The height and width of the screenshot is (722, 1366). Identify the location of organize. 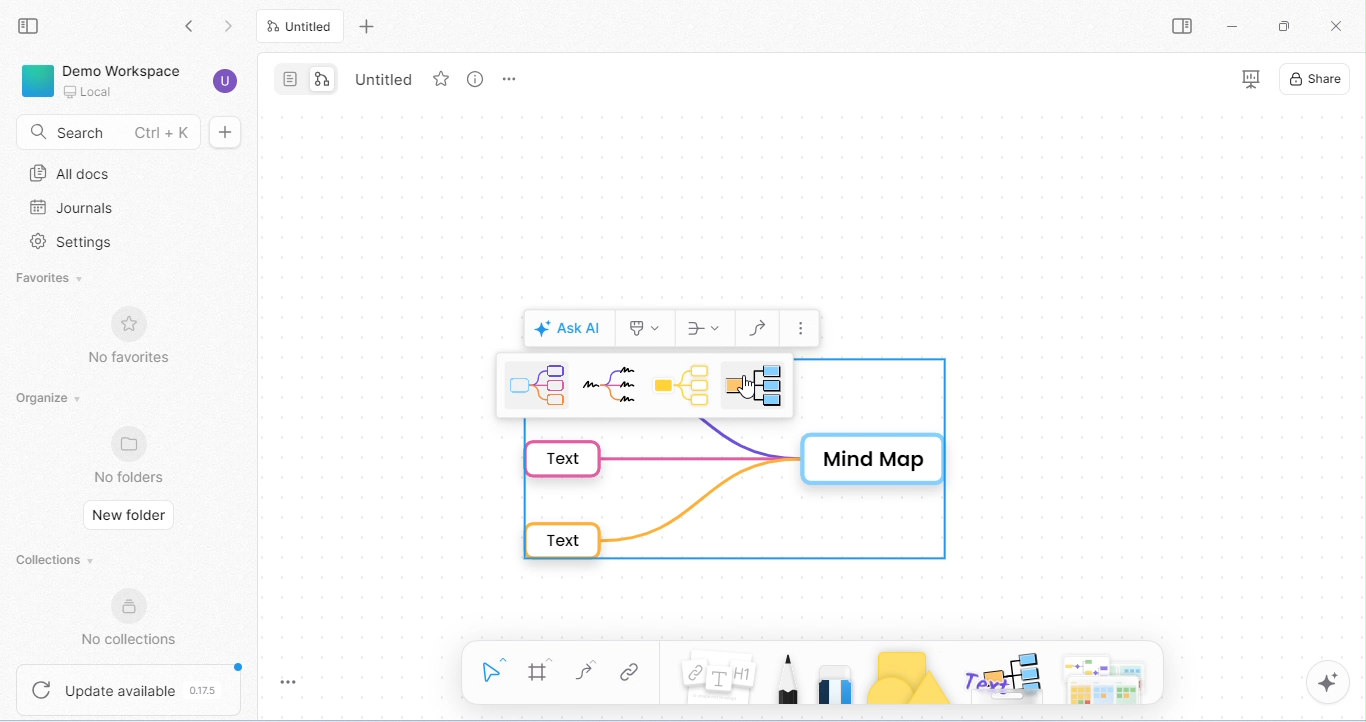
(48, 399).